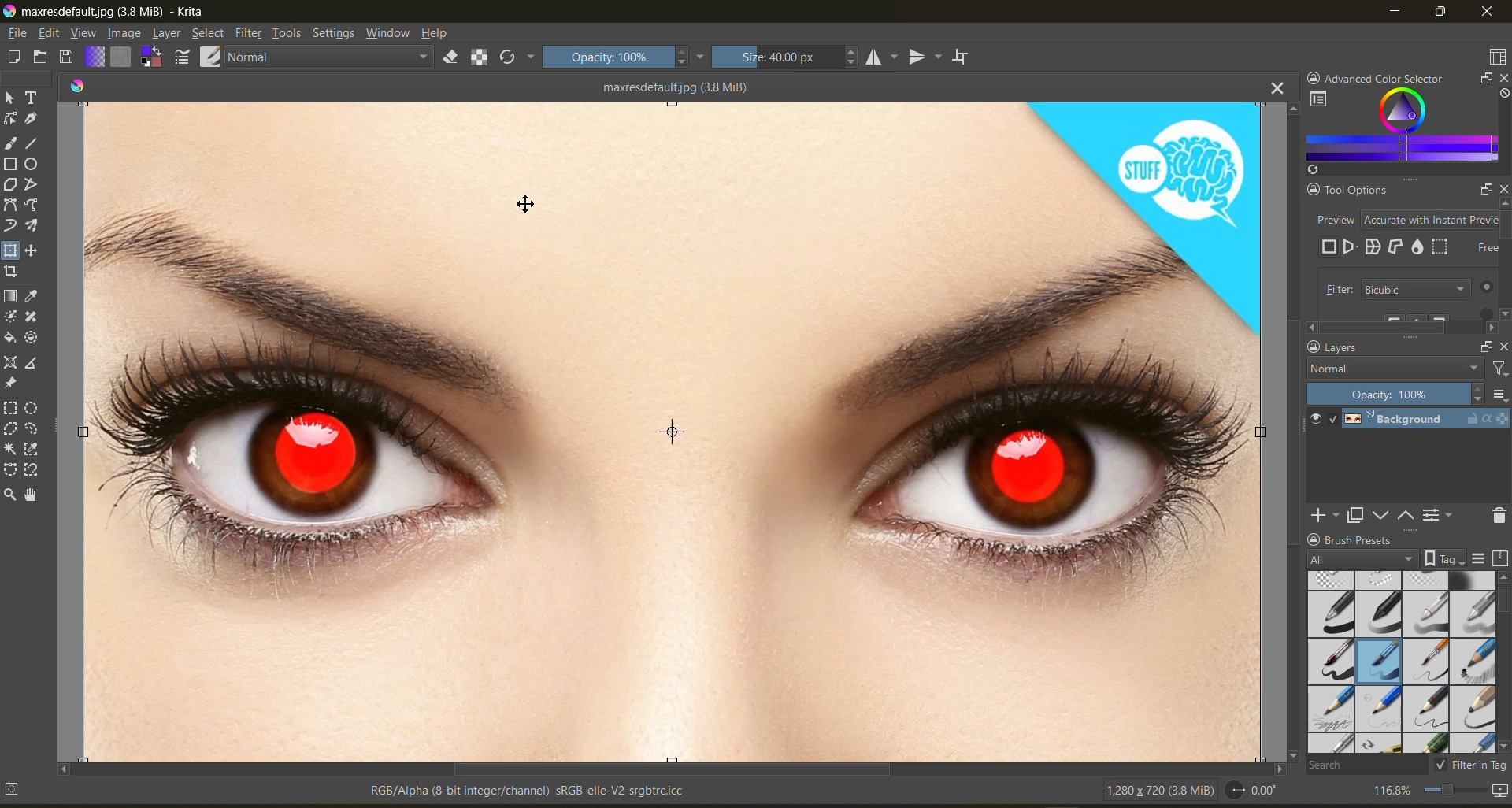 This screenshot has height=808, width=1512. Describe the element at coordinates (31, 185) in the screenshot. I see `tool` at that location.